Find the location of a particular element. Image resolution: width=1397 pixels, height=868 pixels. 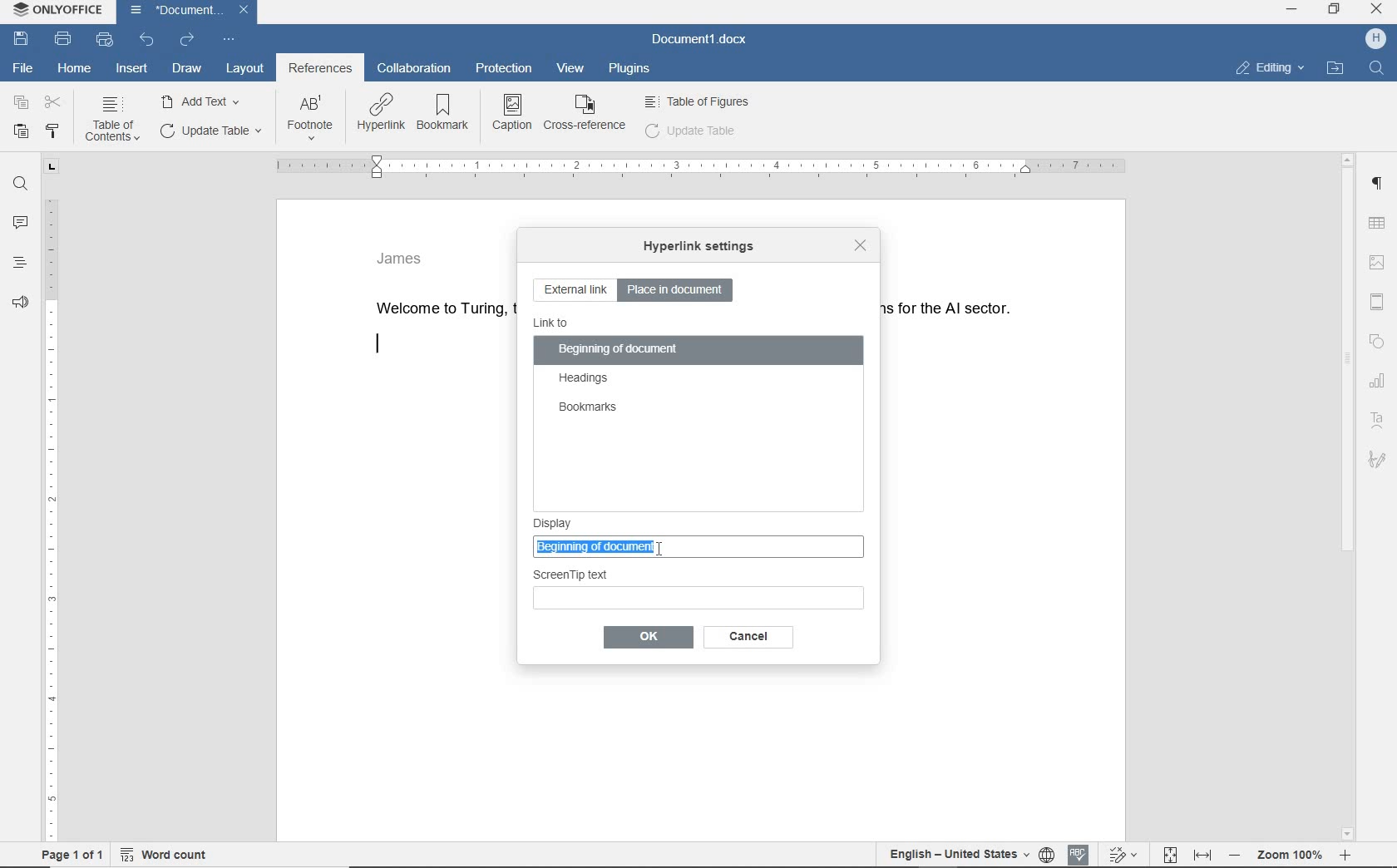

comments is located at coordinates (22, 223).